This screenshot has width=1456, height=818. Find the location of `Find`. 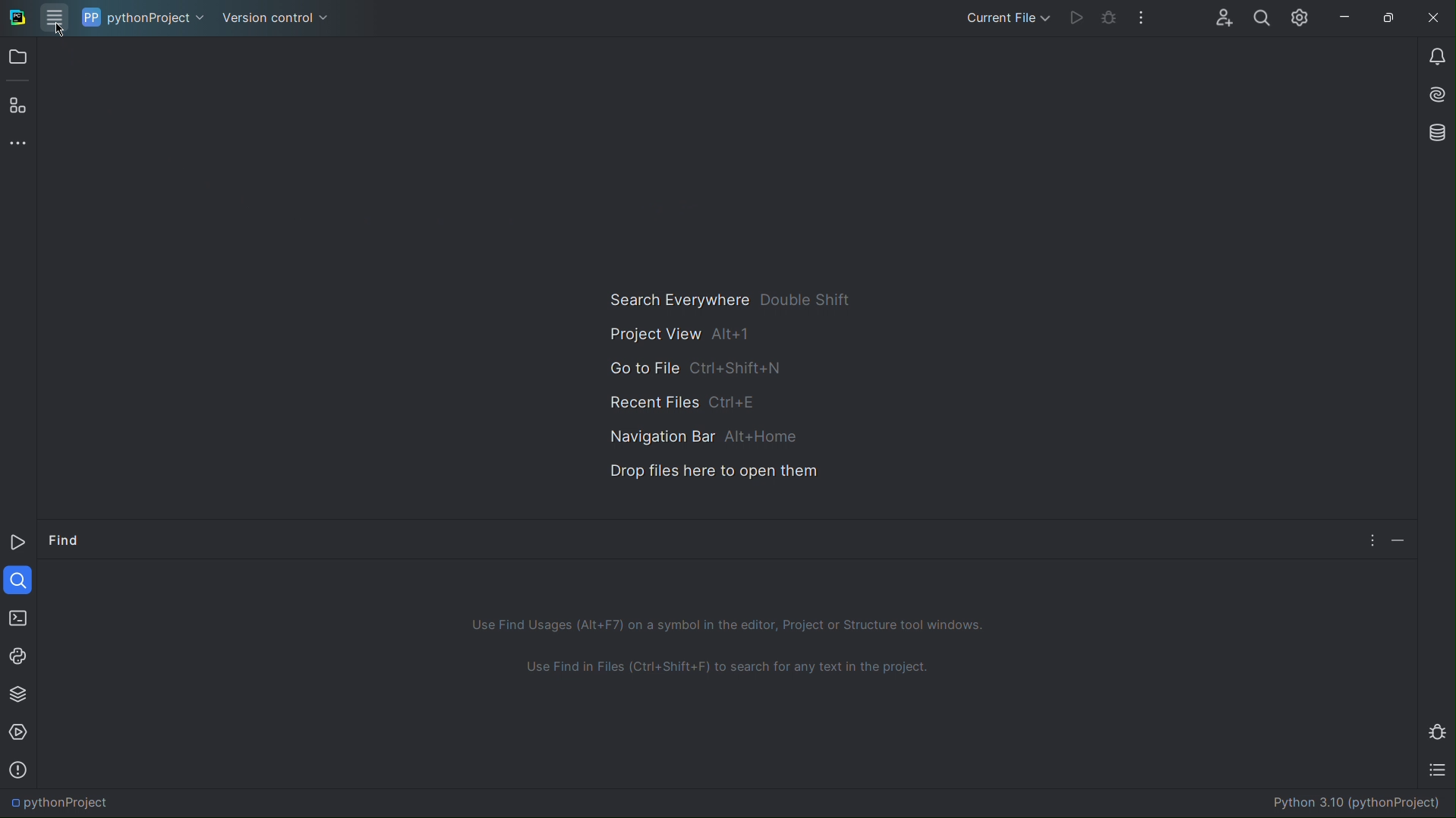

Find is located at coordinates (65, 543).